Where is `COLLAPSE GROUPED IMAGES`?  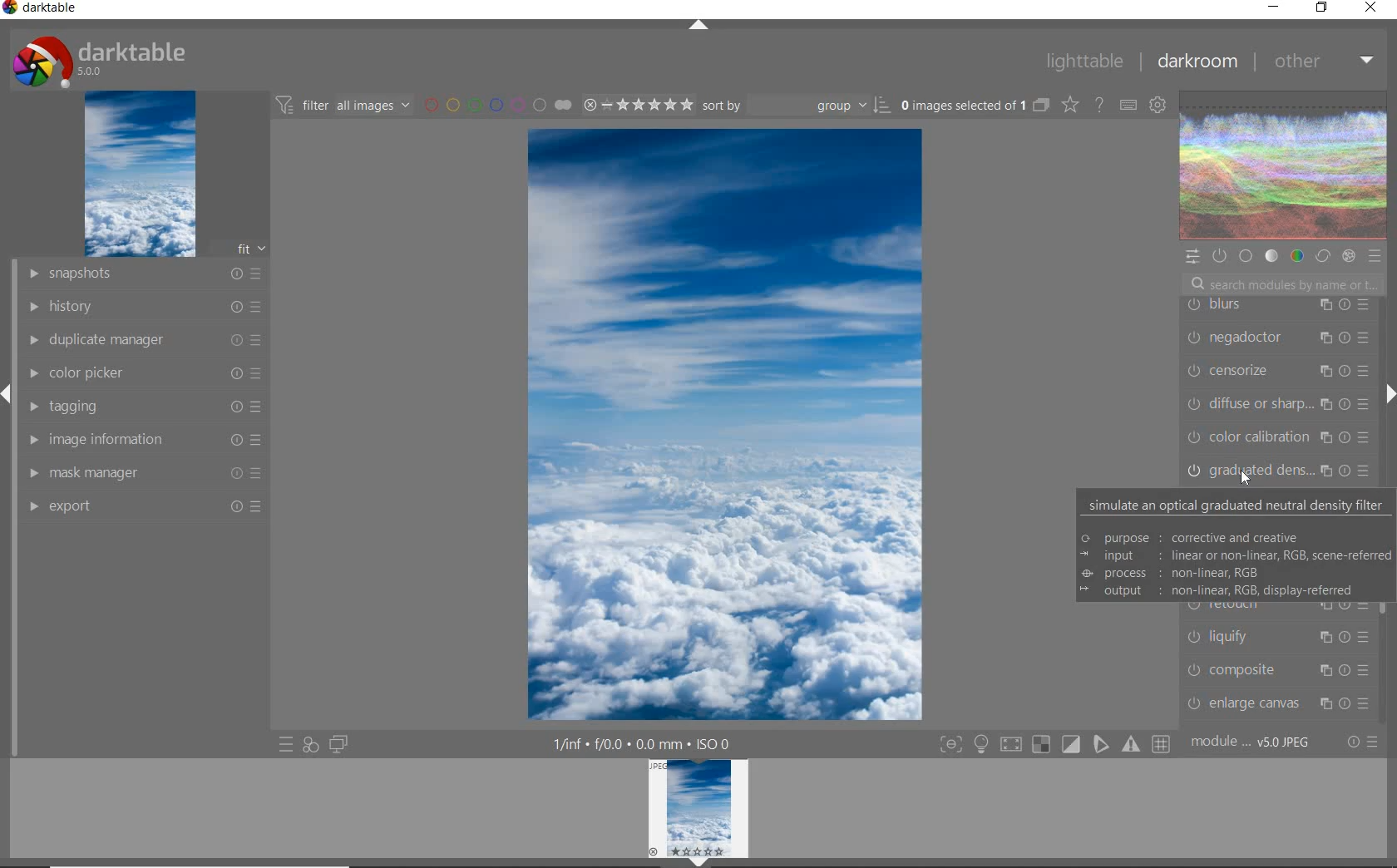 COLLAPSE GROUPED IMAGES is located at coordinates (1042, 104).